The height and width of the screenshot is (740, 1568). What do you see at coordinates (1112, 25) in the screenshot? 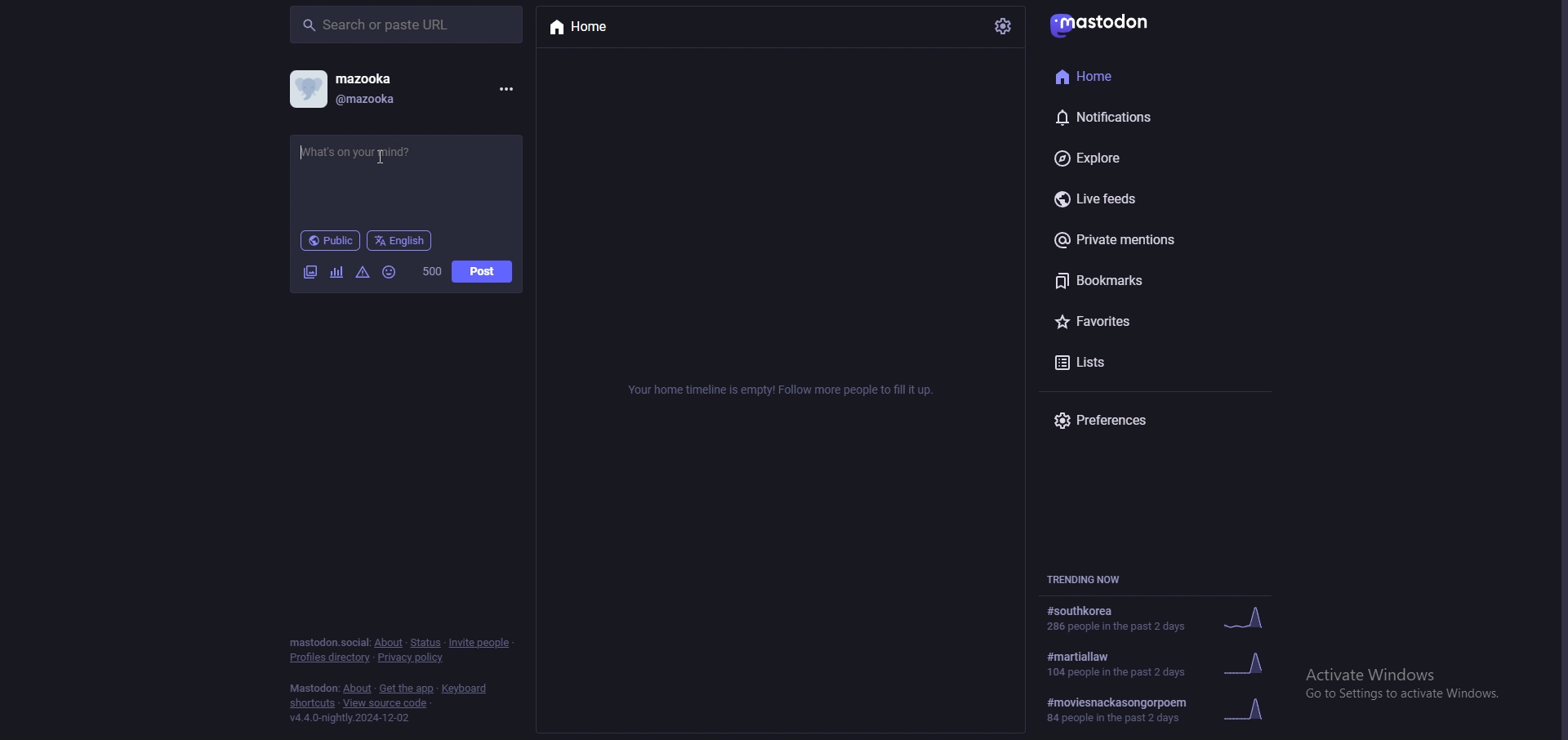
I see `mastodon` at bounding box center [1112, 25].